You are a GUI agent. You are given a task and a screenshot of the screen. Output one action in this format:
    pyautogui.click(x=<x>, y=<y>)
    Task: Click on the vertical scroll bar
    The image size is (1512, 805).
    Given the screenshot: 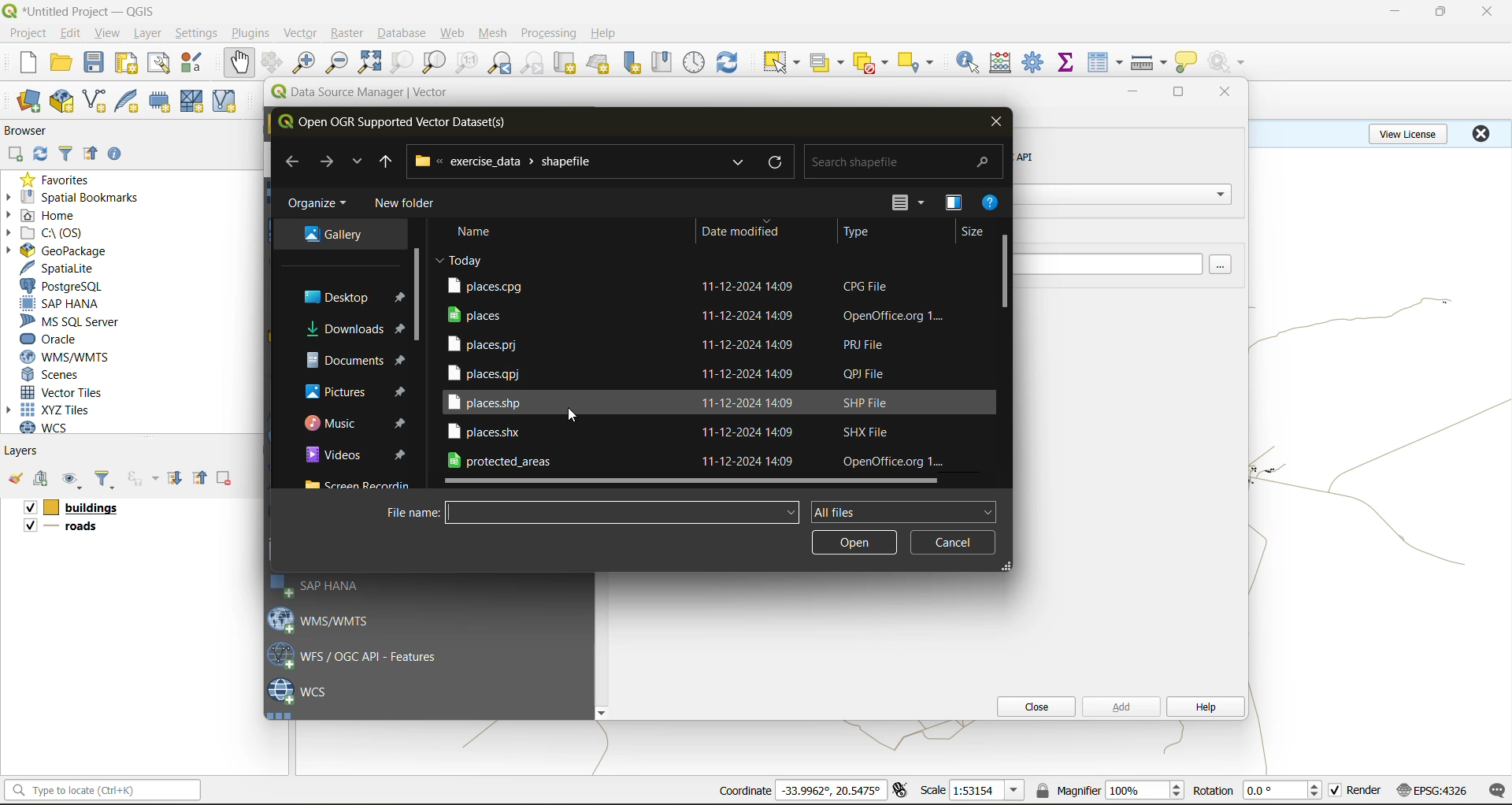 What is the action you would take?
    pyautogui.click(x=416, y=289)
    